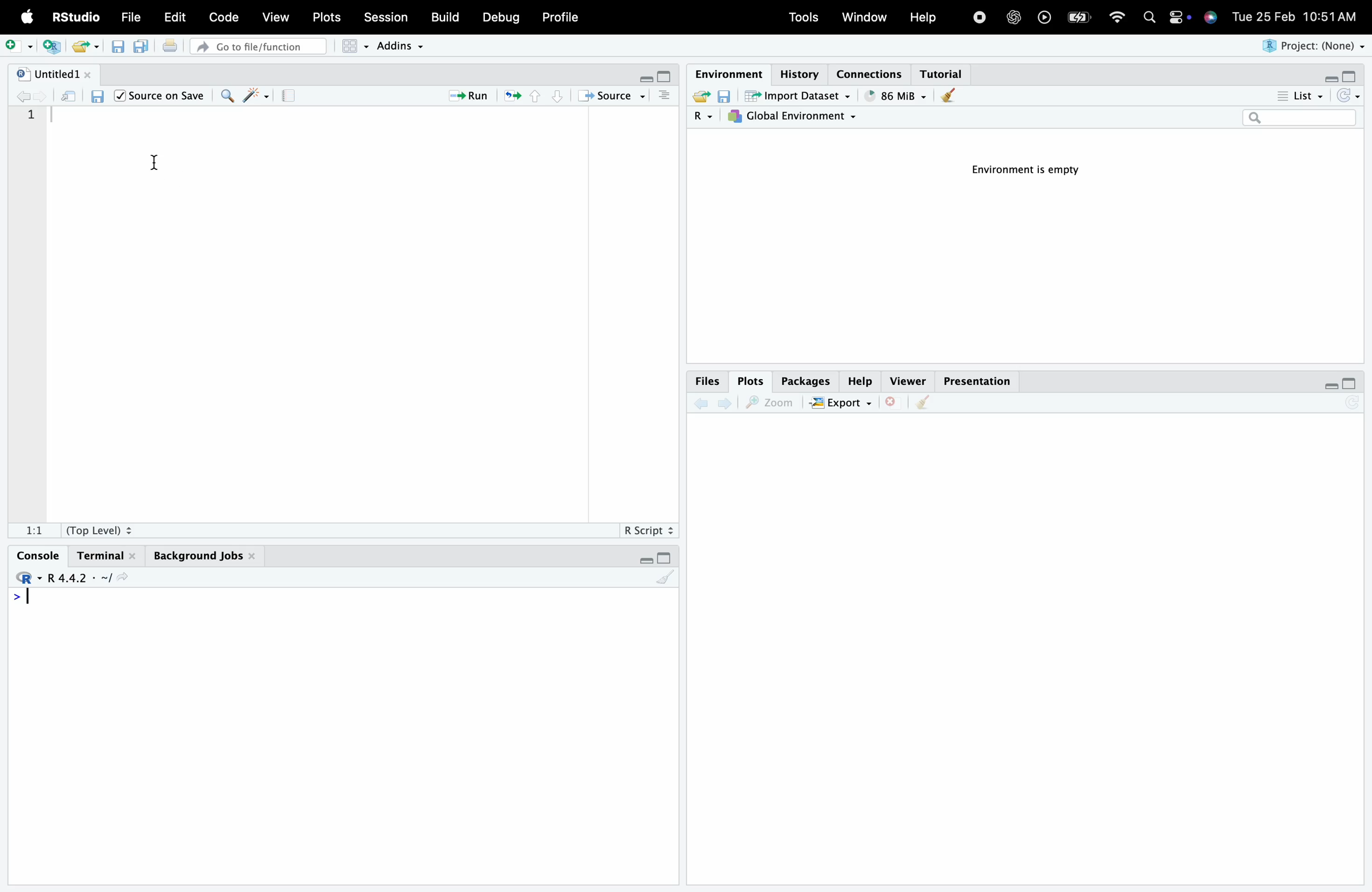  What do you see at coordinates (28, 18) in the screenshot?
I see `logo` at bounding box center [28, 18].